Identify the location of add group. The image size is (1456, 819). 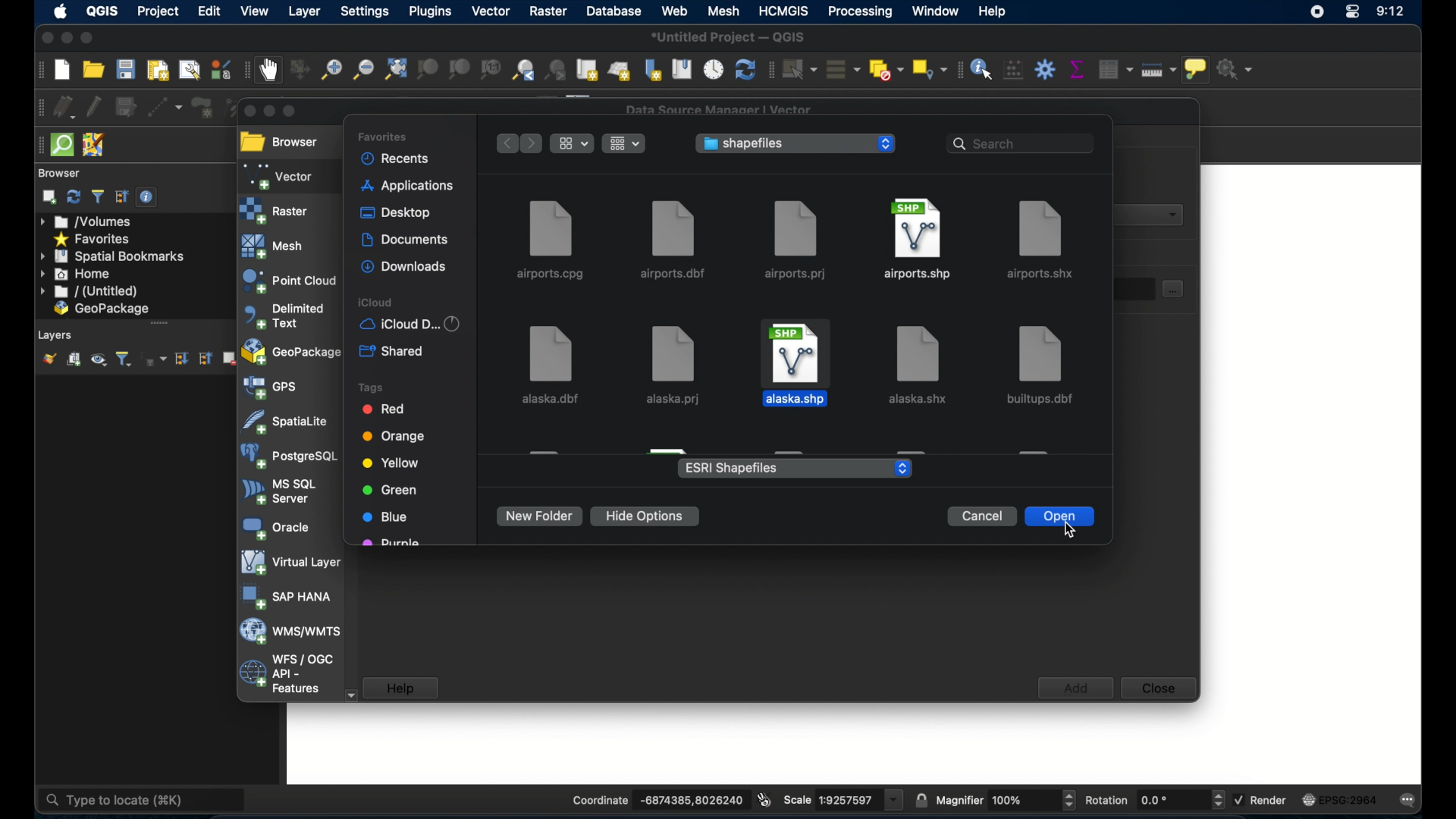
(74, 360).